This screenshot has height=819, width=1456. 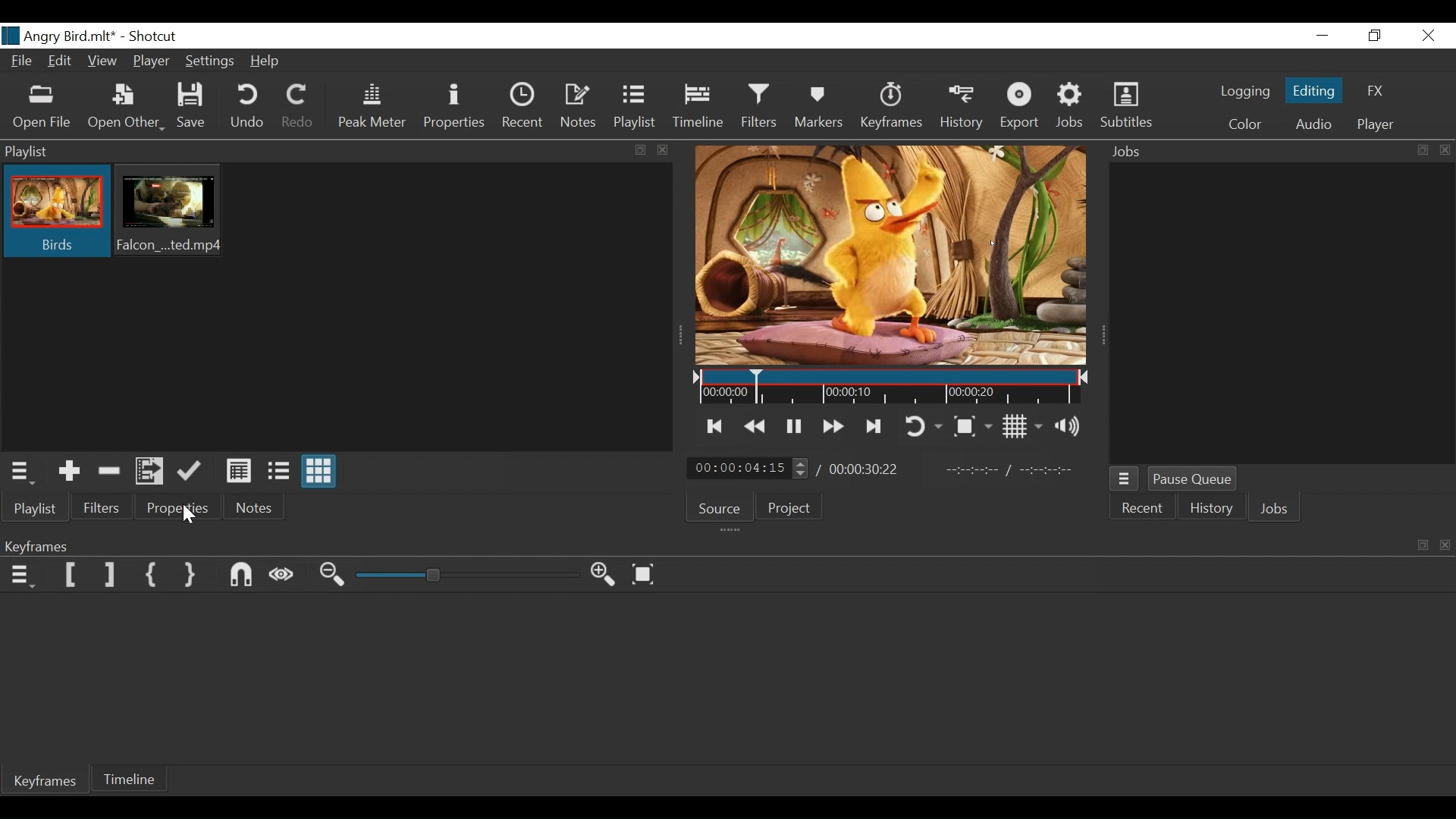 I want to click on Close, so click(x=1426, y=35).